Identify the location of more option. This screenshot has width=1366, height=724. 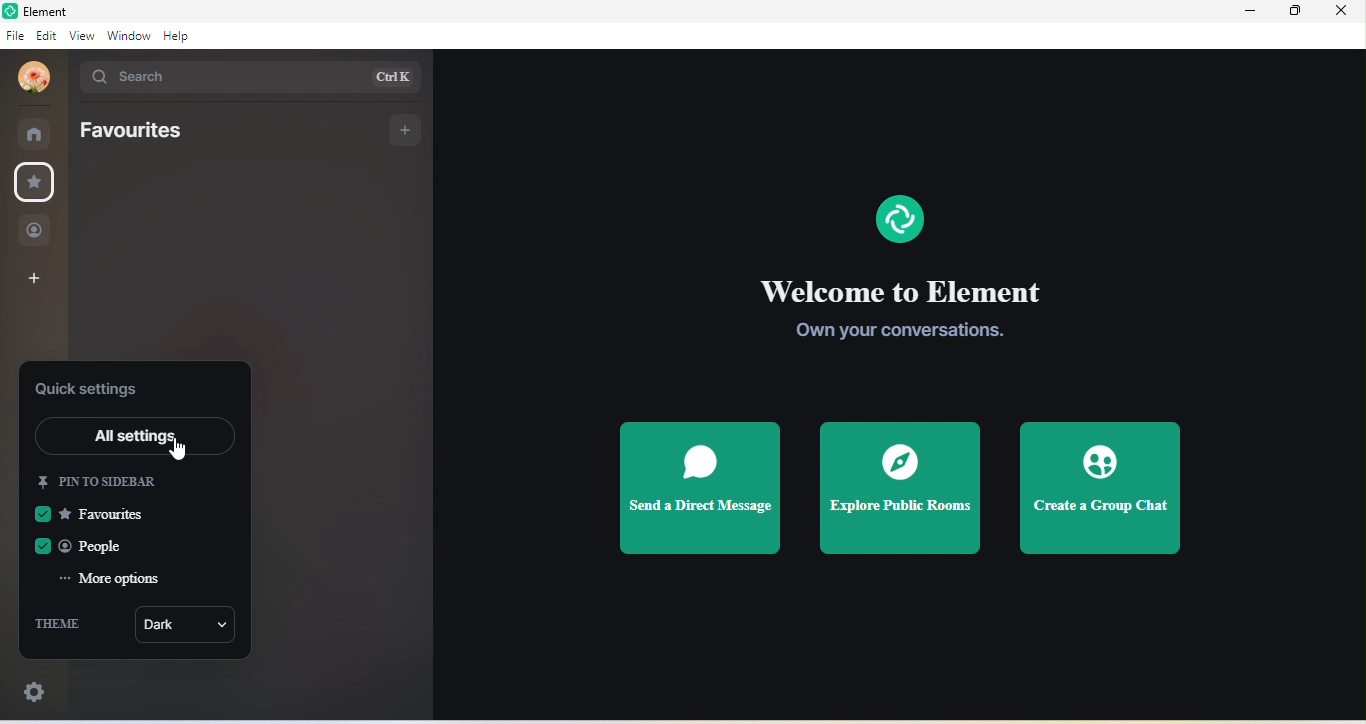
(117, 578).